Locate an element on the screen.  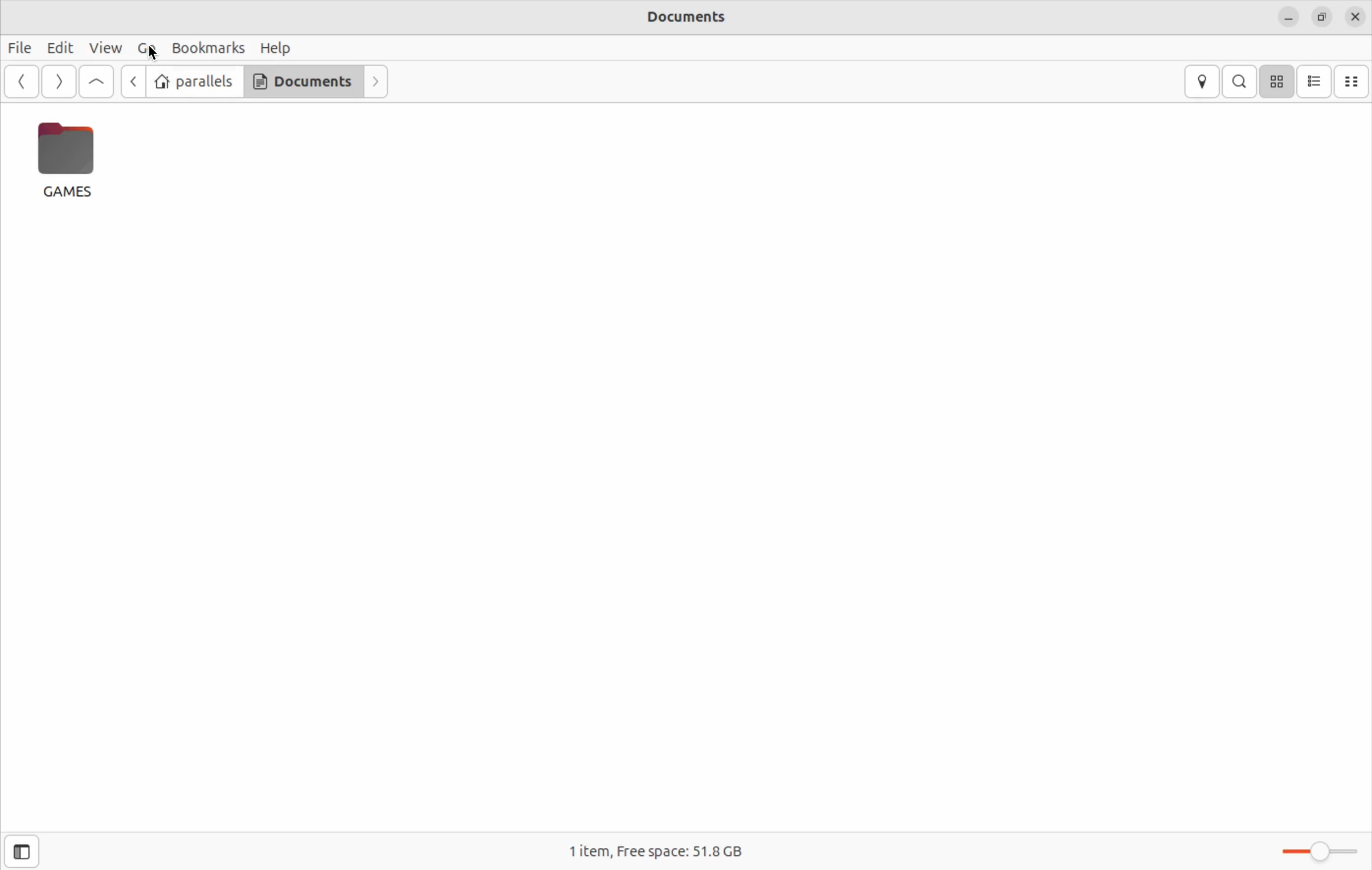
file is located at coordinates (20, 46).